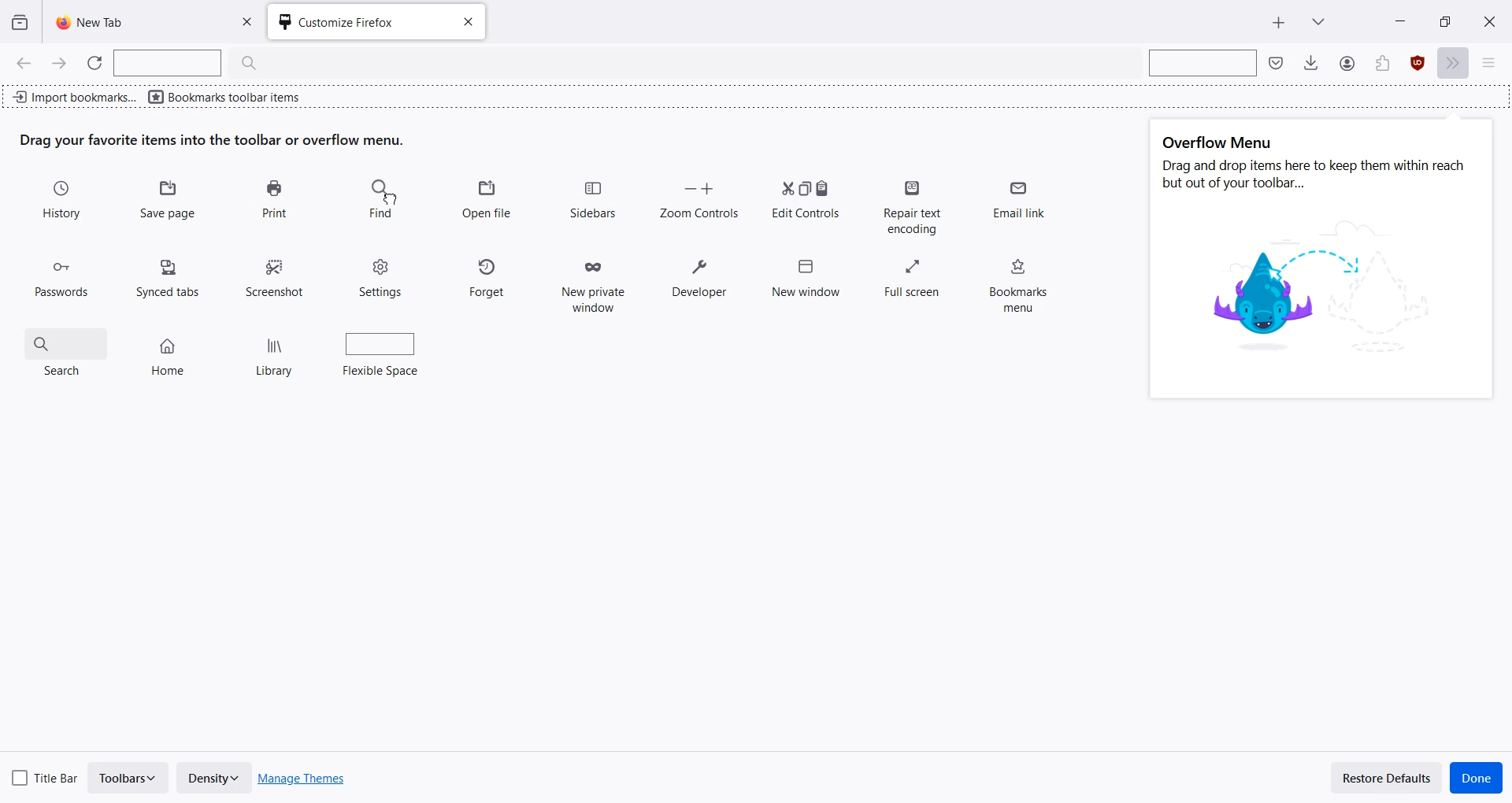  What do you see at coordinates (251, 22) in the screenshot?
I see `Close Tab` at bounding box center [251, 22].